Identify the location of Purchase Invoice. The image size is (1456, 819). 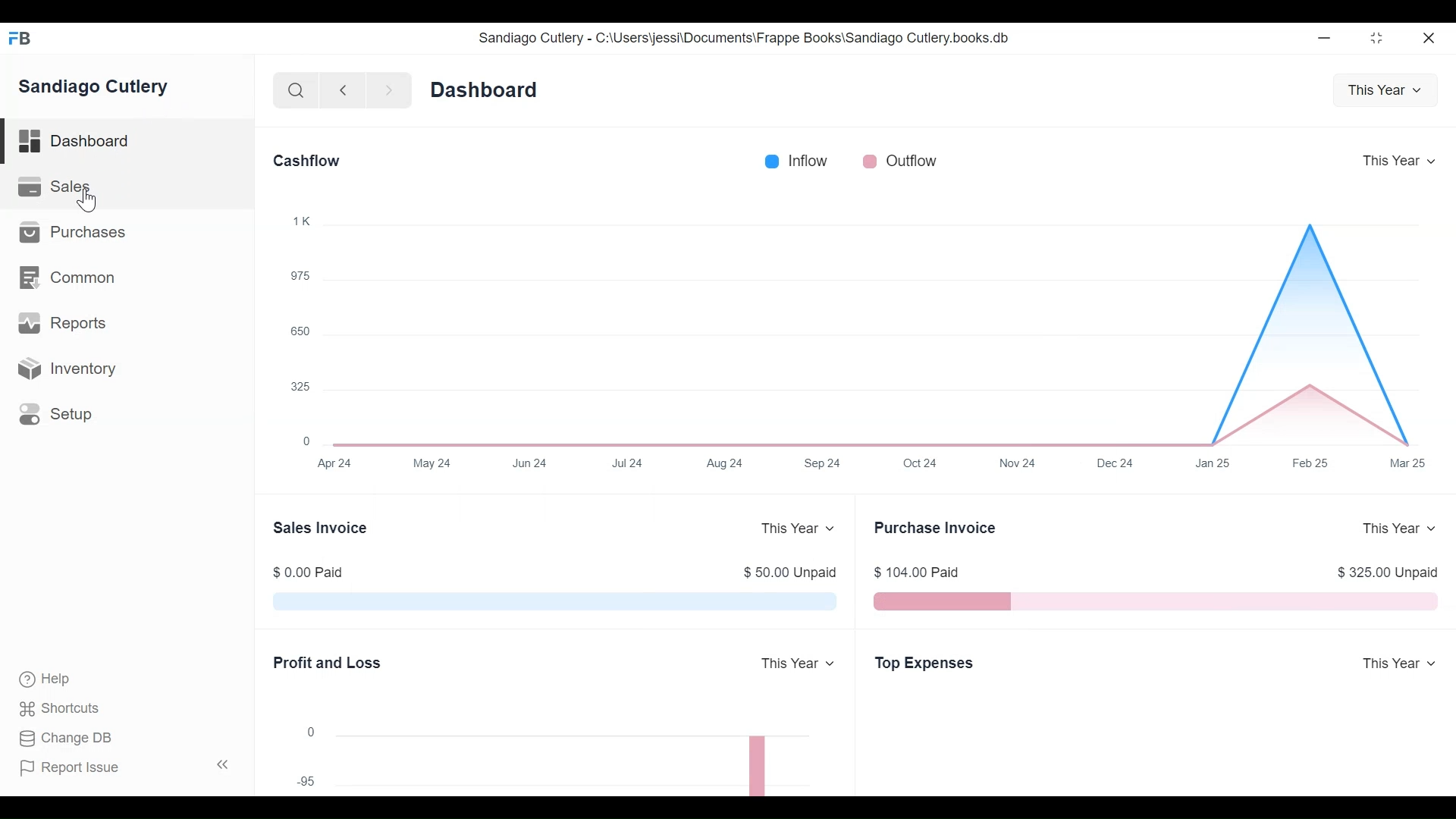
(937, 527).